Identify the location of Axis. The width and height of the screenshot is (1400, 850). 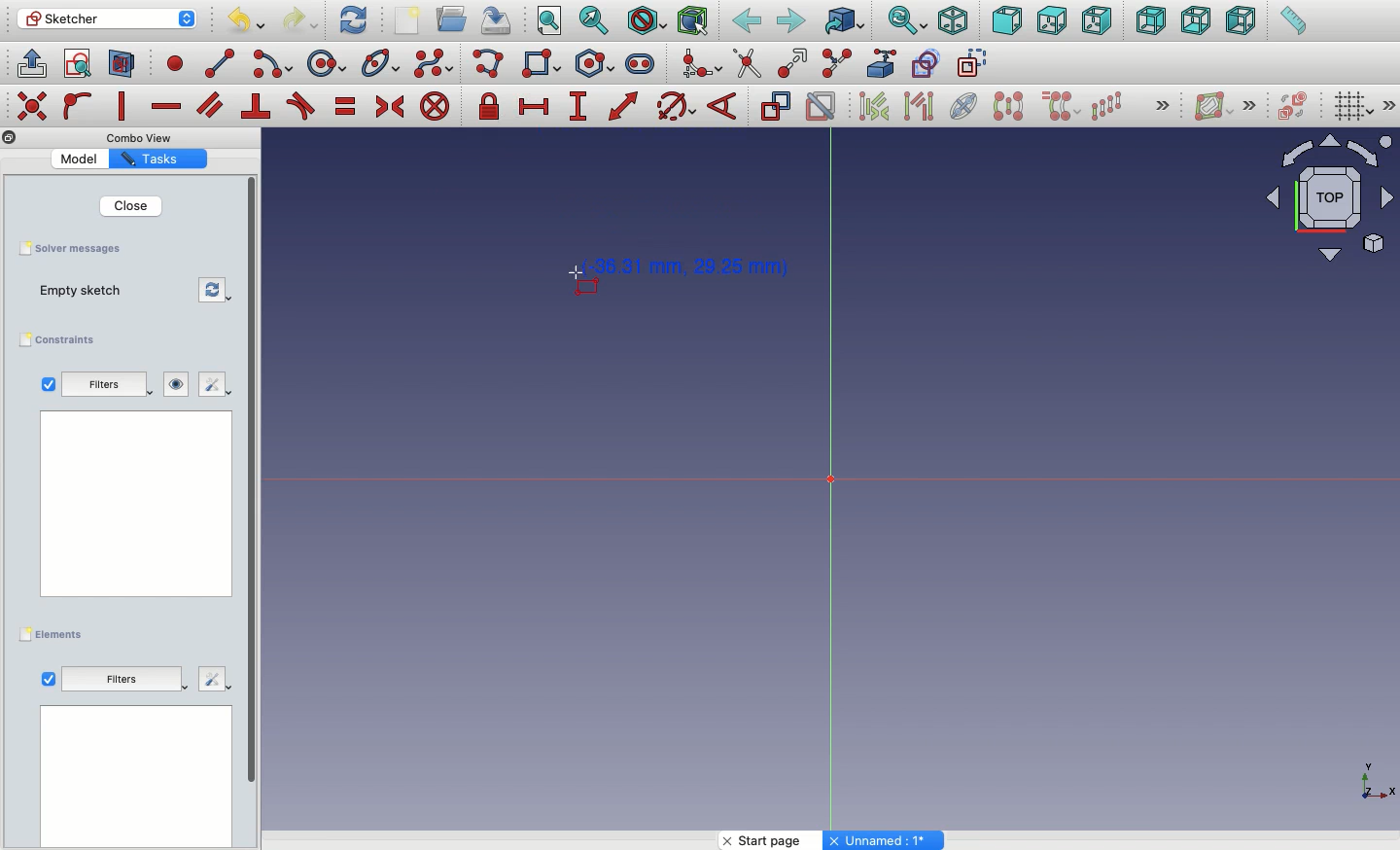
(1374, 775).